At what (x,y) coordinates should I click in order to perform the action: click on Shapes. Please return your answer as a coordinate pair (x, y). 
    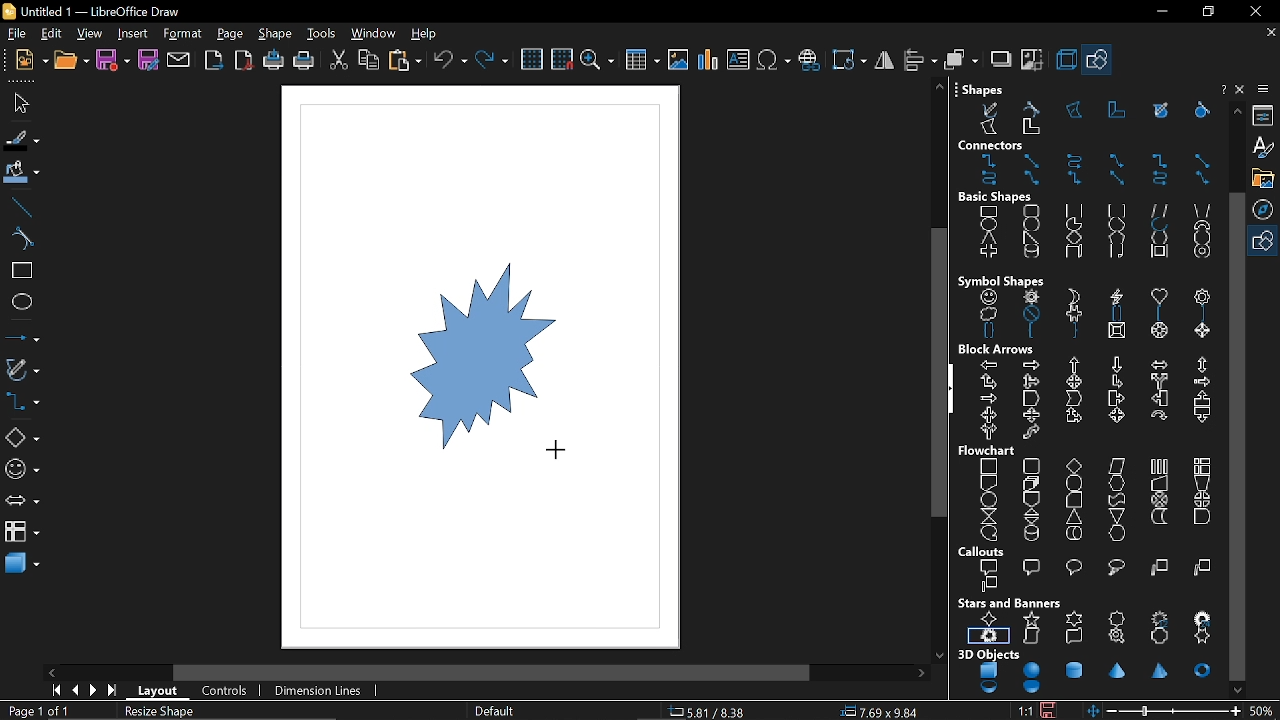
    Looking at the image, I should click on (1082, 109).